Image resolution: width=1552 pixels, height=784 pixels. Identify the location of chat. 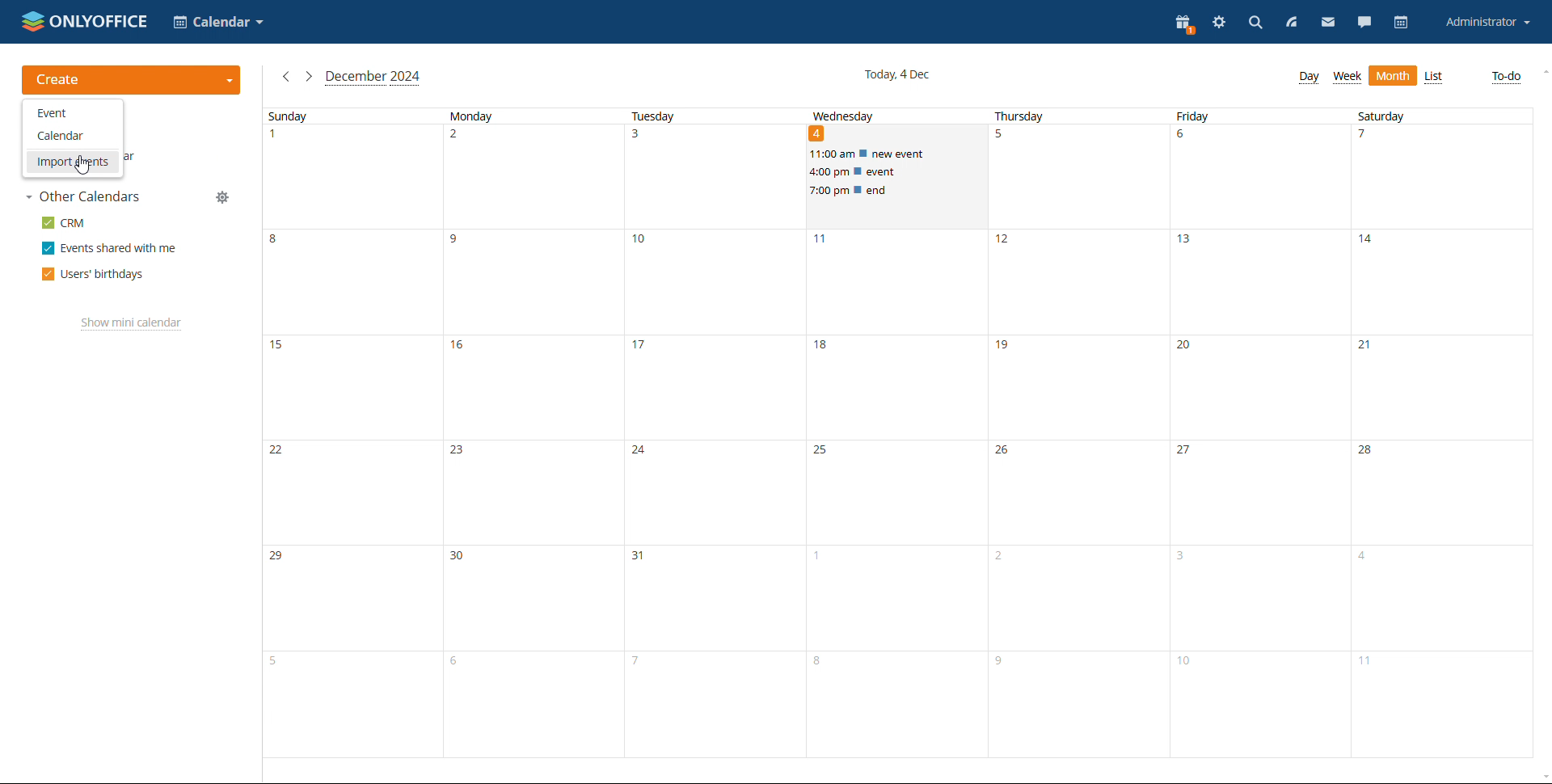
(1365, 21).